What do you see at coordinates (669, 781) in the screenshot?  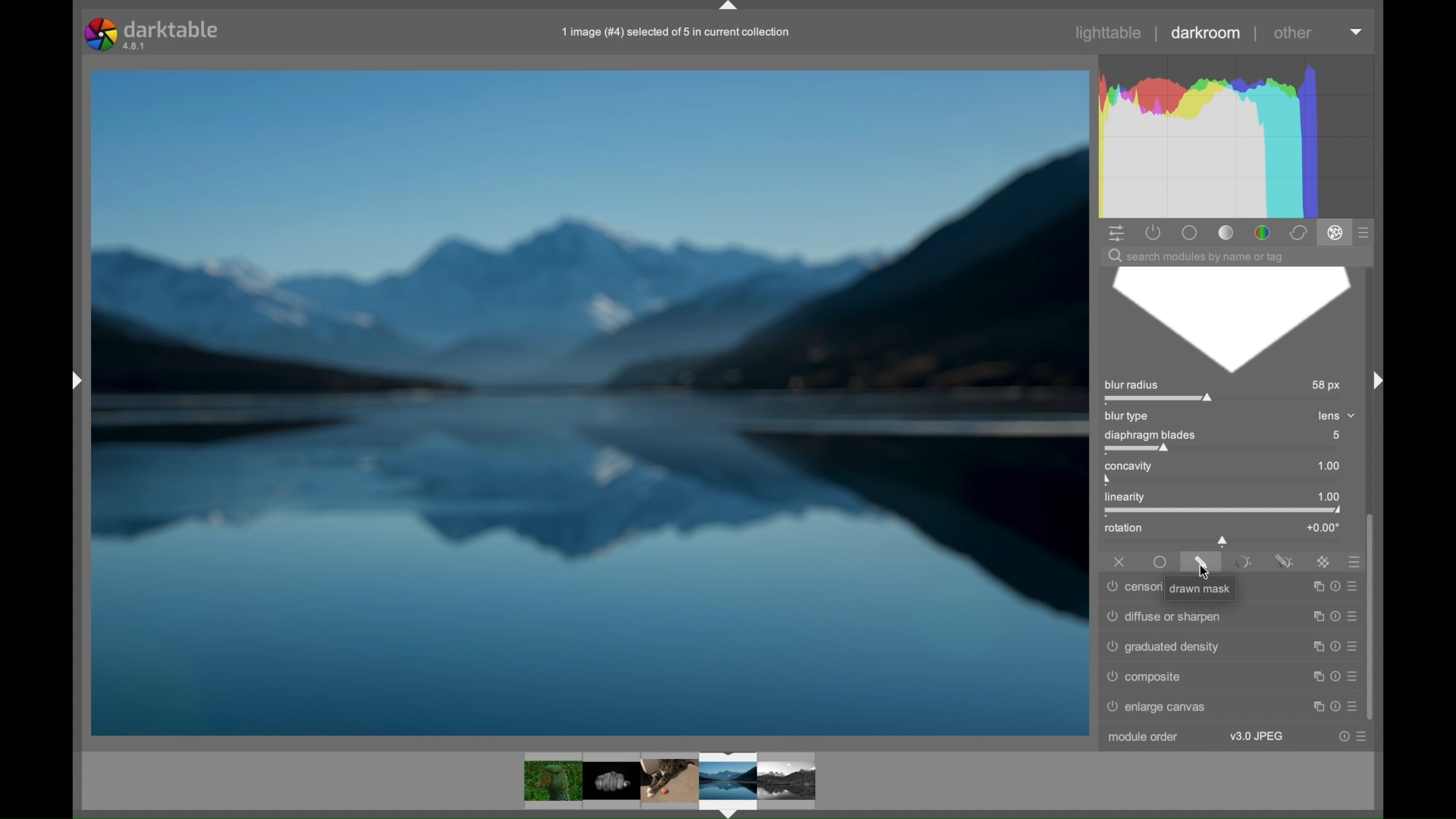 I see `shapes` at bounding box center [669, 781].